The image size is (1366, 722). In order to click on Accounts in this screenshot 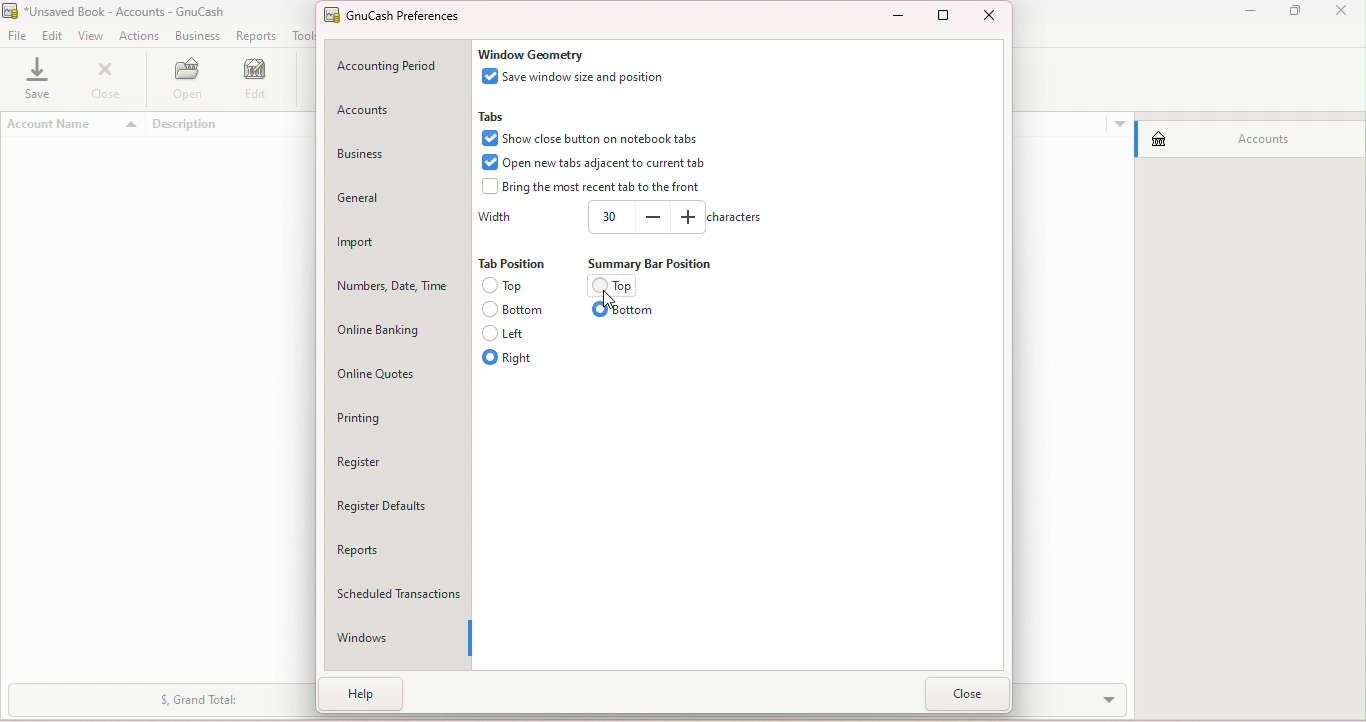, I will do `click(1245, 136)`.